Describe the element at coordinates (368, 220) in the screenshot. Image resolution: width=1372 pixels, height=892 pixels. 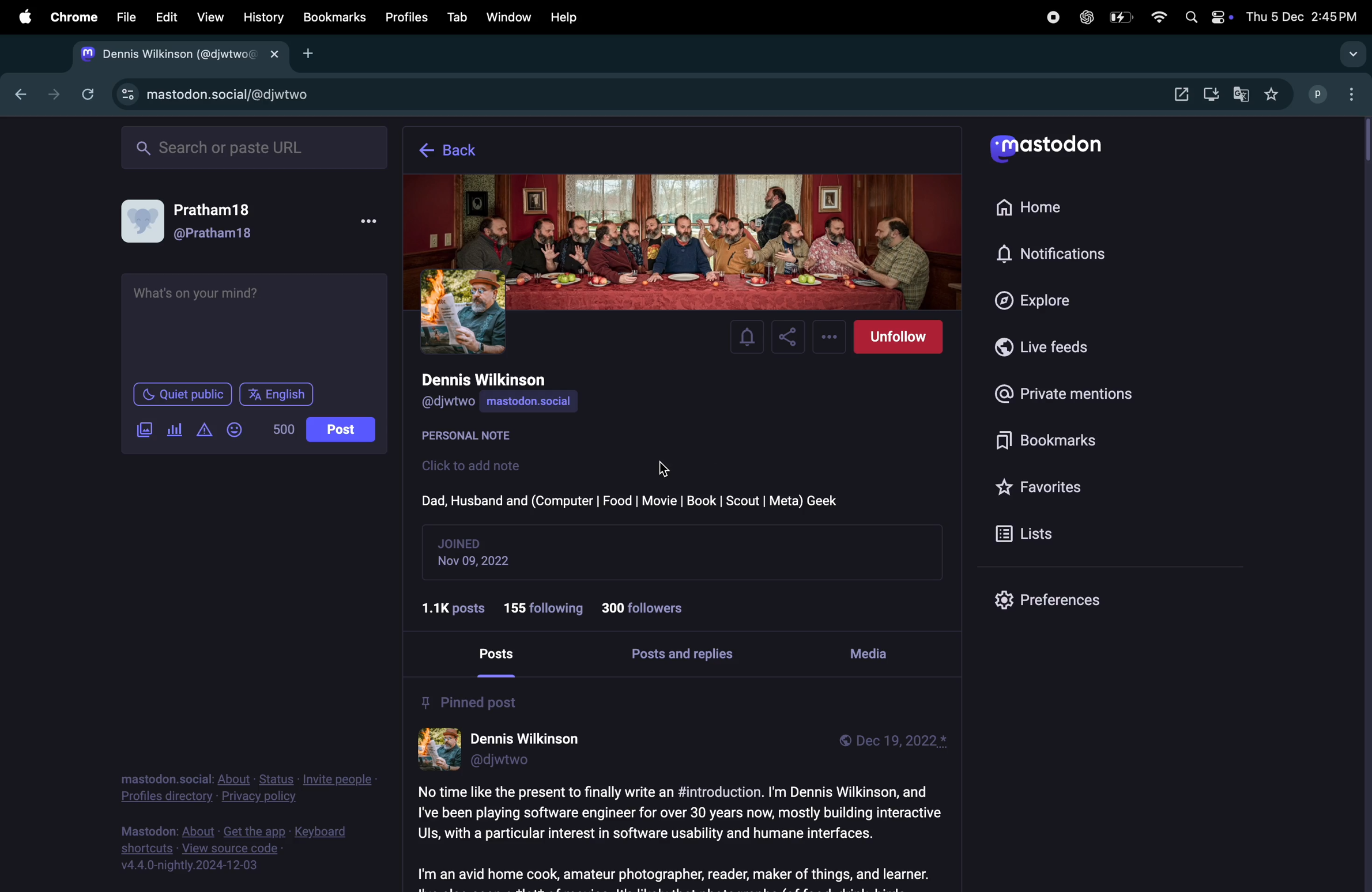
I see `options` at that location.